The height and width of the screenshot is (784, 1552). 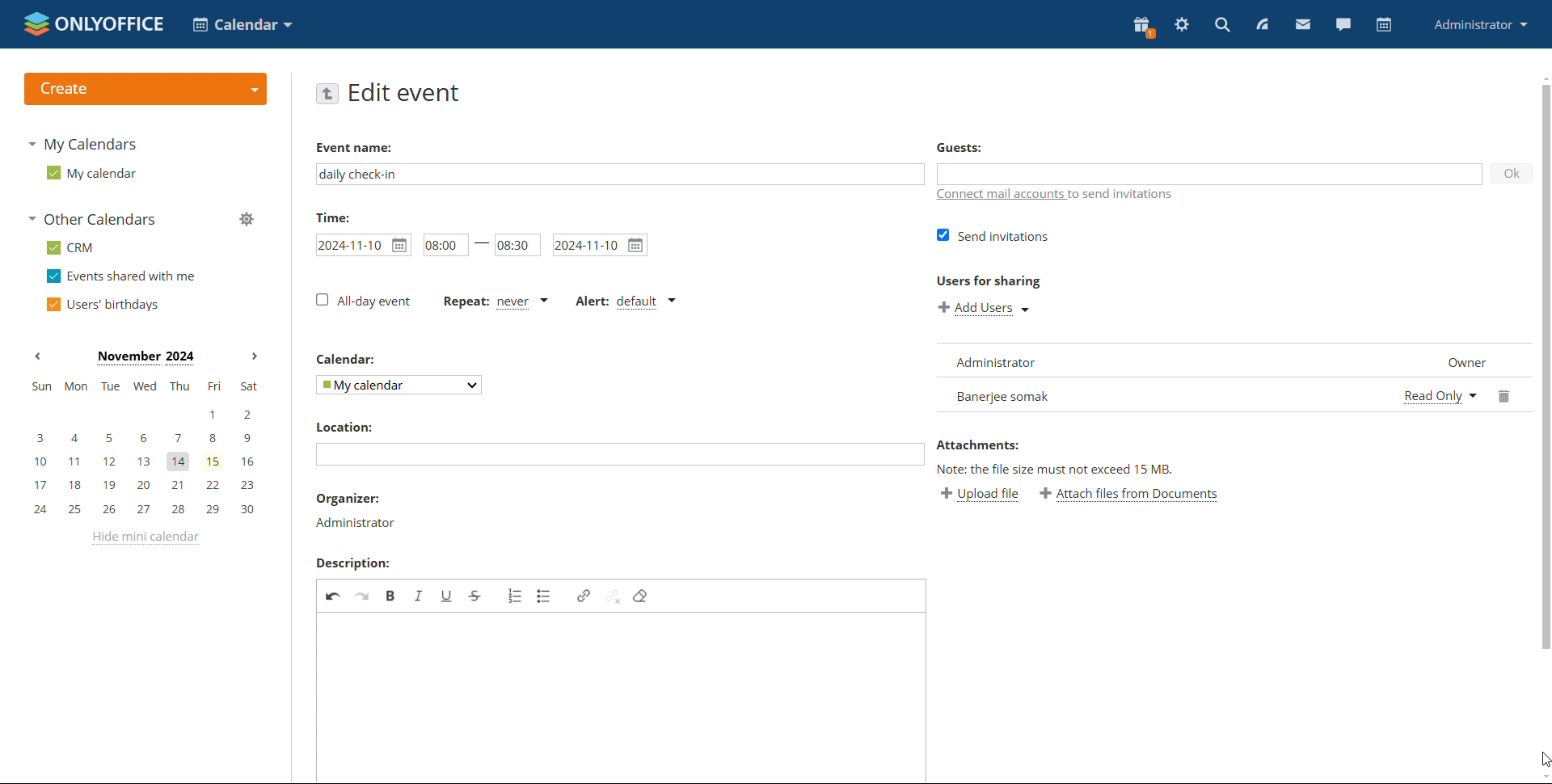 What do you see at coordinates (70, 247) in the screenshot?
I see `crm` at bounding box center [70, 247].